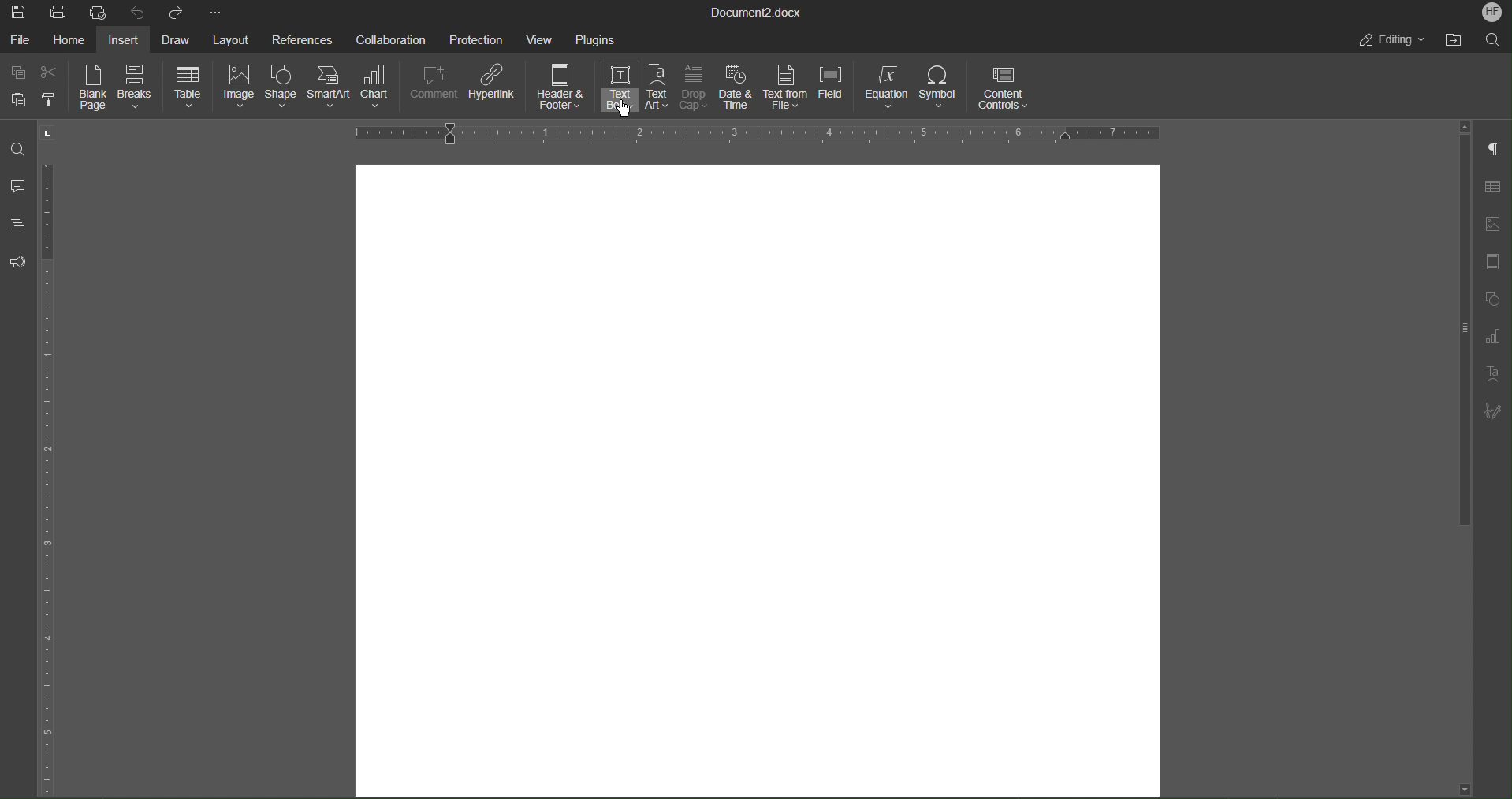  I want to click on Text Art, so click(659, 87).